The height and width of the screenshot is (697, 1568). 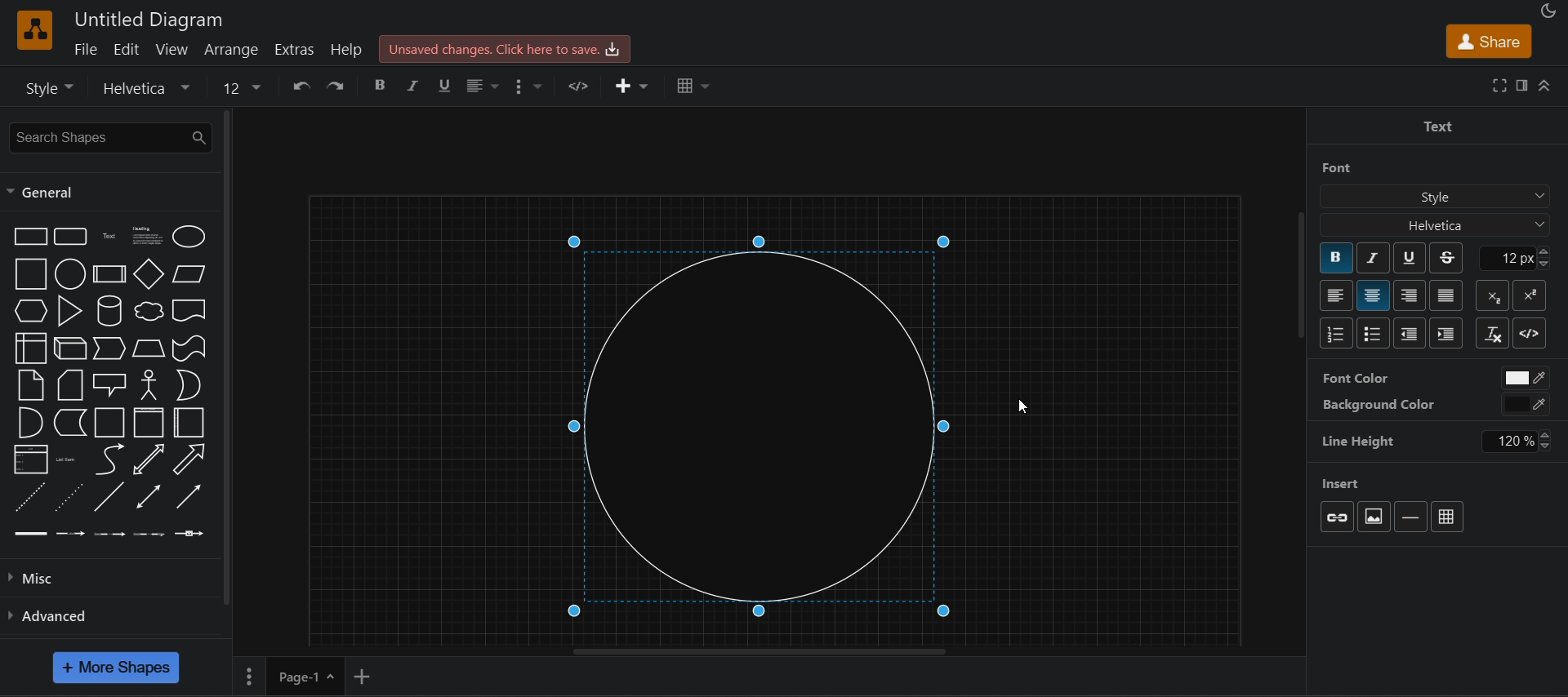 What do you see at coordinates (1490, 43) in the screenshot?
I see `share` at bounding box center [1490, 43].